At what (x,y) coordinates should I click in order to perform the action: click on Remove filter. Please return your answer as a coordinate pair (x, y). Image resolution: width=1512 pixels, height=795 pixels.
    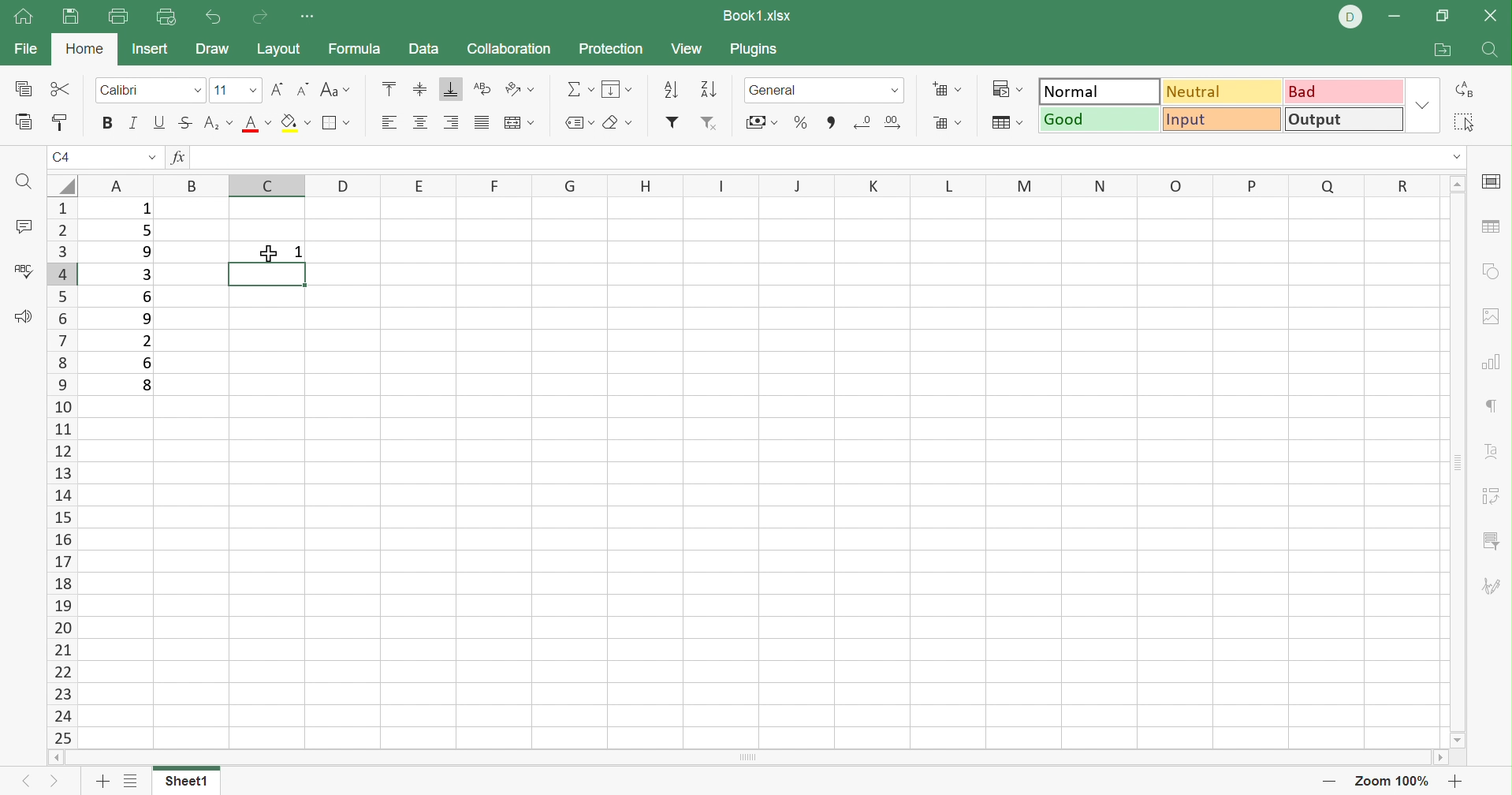
    Looking at the image, I should click on (709, 125).